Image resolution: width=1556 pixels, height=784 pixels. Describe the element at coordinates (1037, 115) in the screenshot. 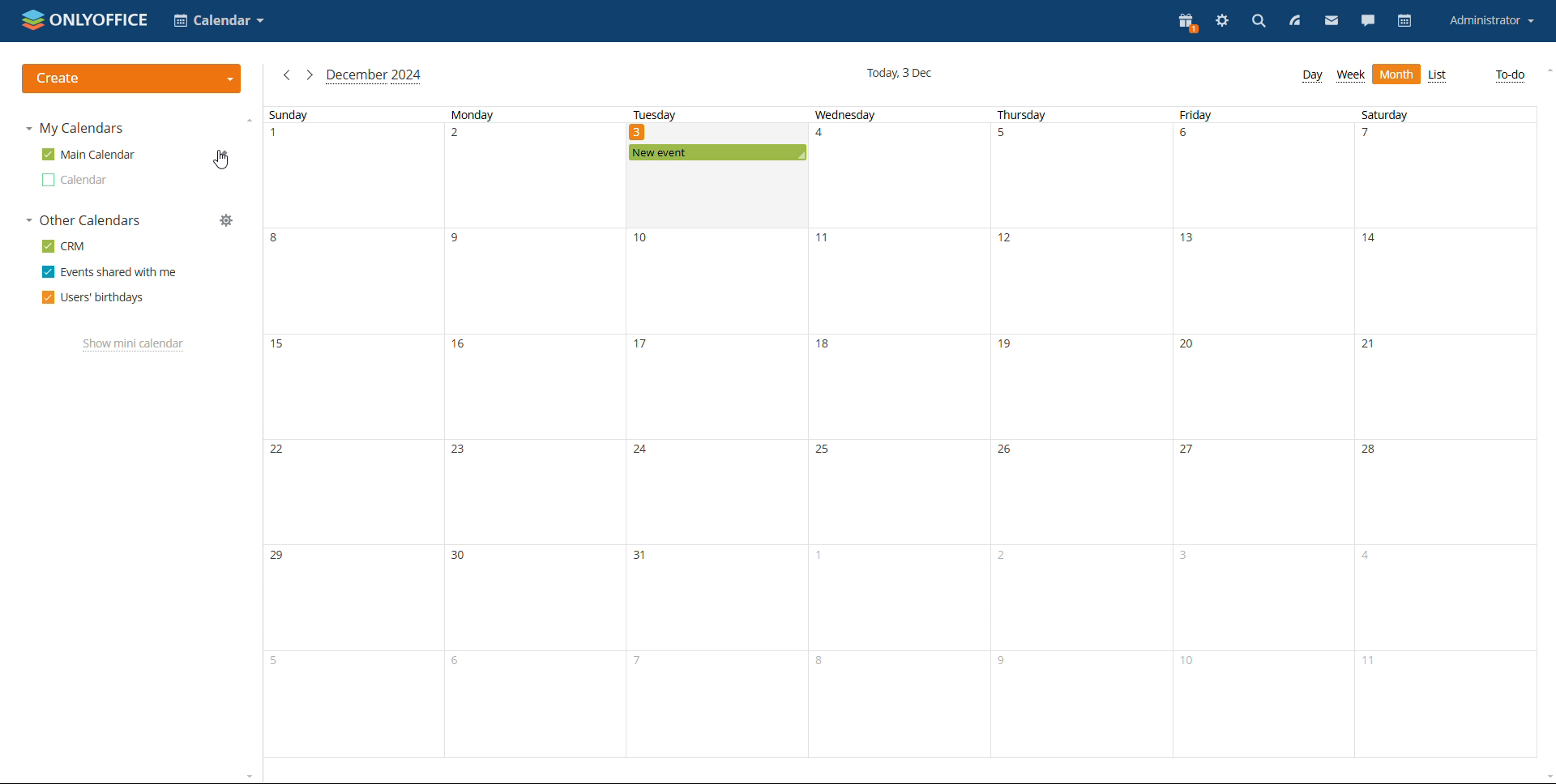

I see `thursday` at that location.